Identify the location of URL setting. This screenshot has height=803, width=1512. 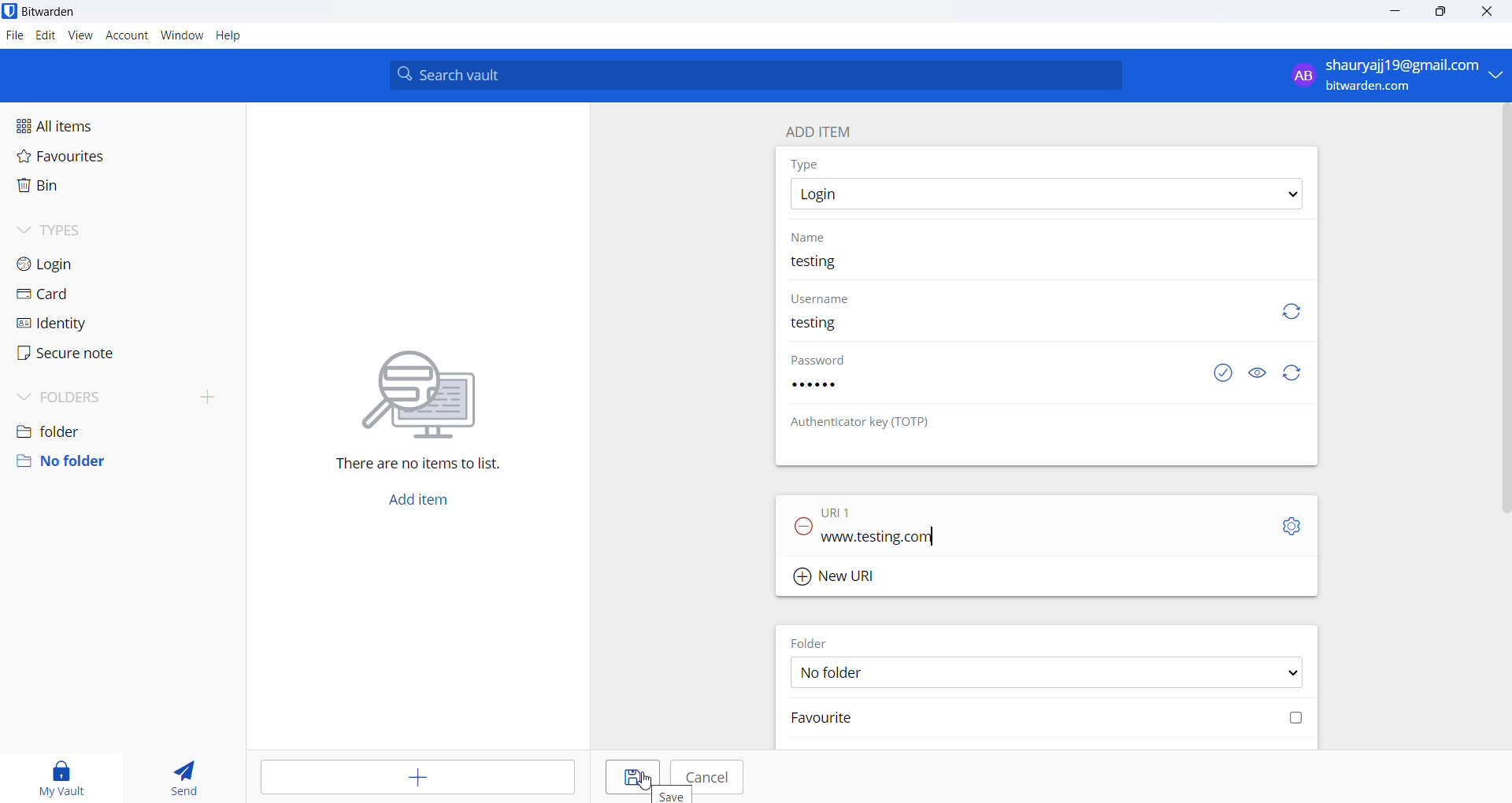
(1284, 525).